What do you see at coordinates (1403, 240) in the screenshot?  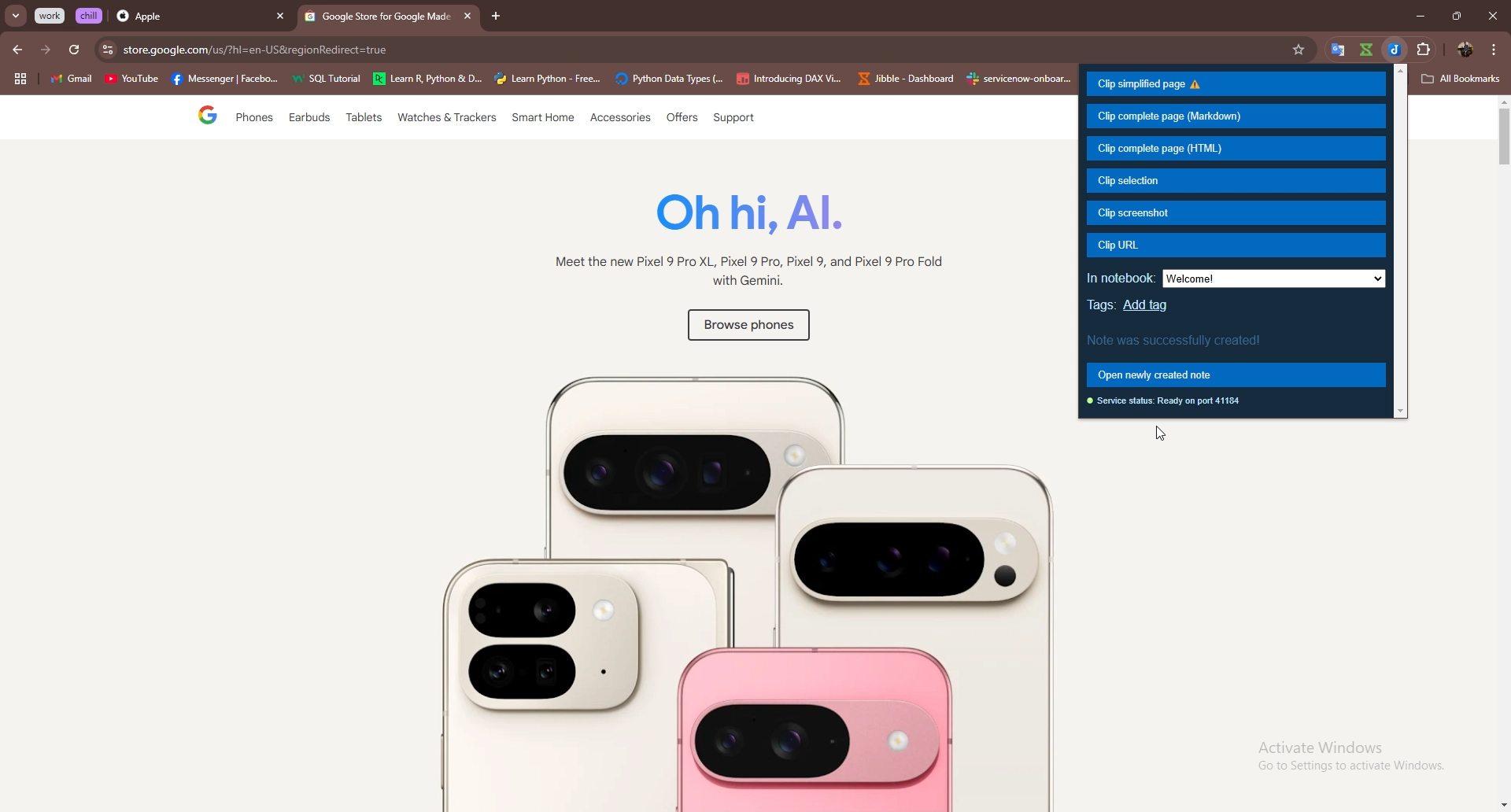 I see `scroll bar` at bounding box center [1403, 240].